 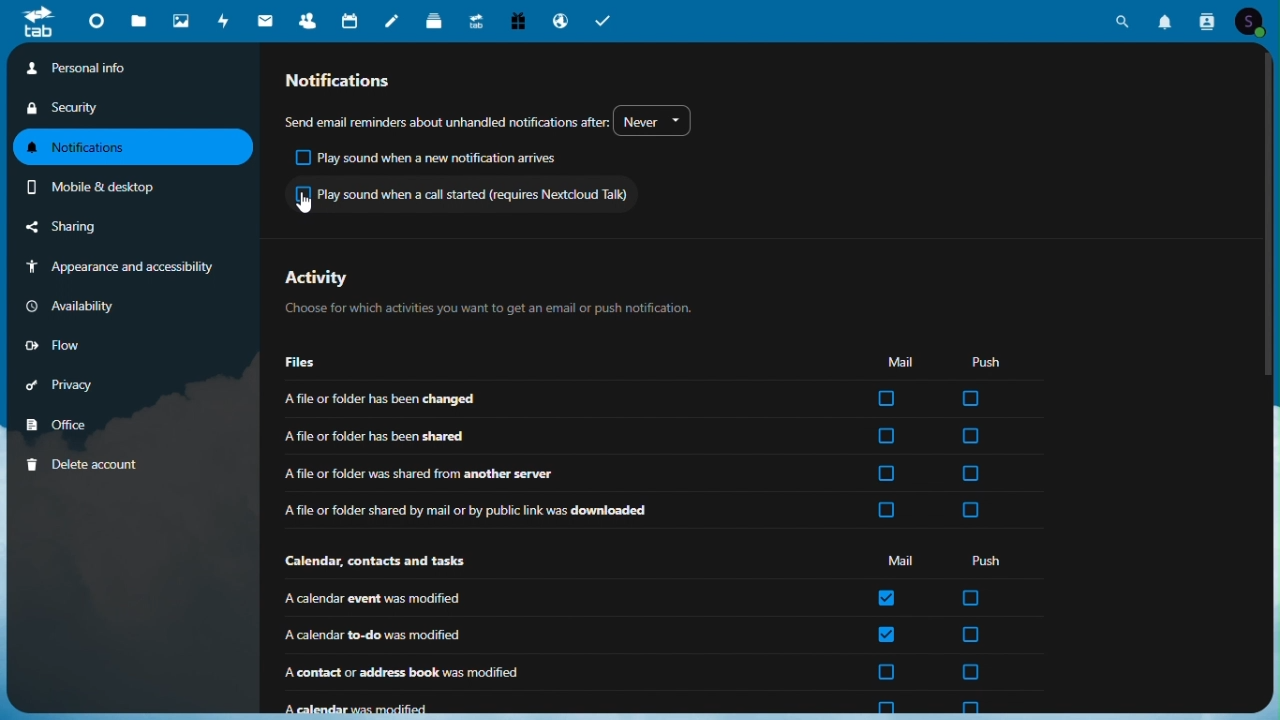 What do you see at coordinates (73, 304) in the screenshot?
I see `Availability` at bounding box center [73, 304].